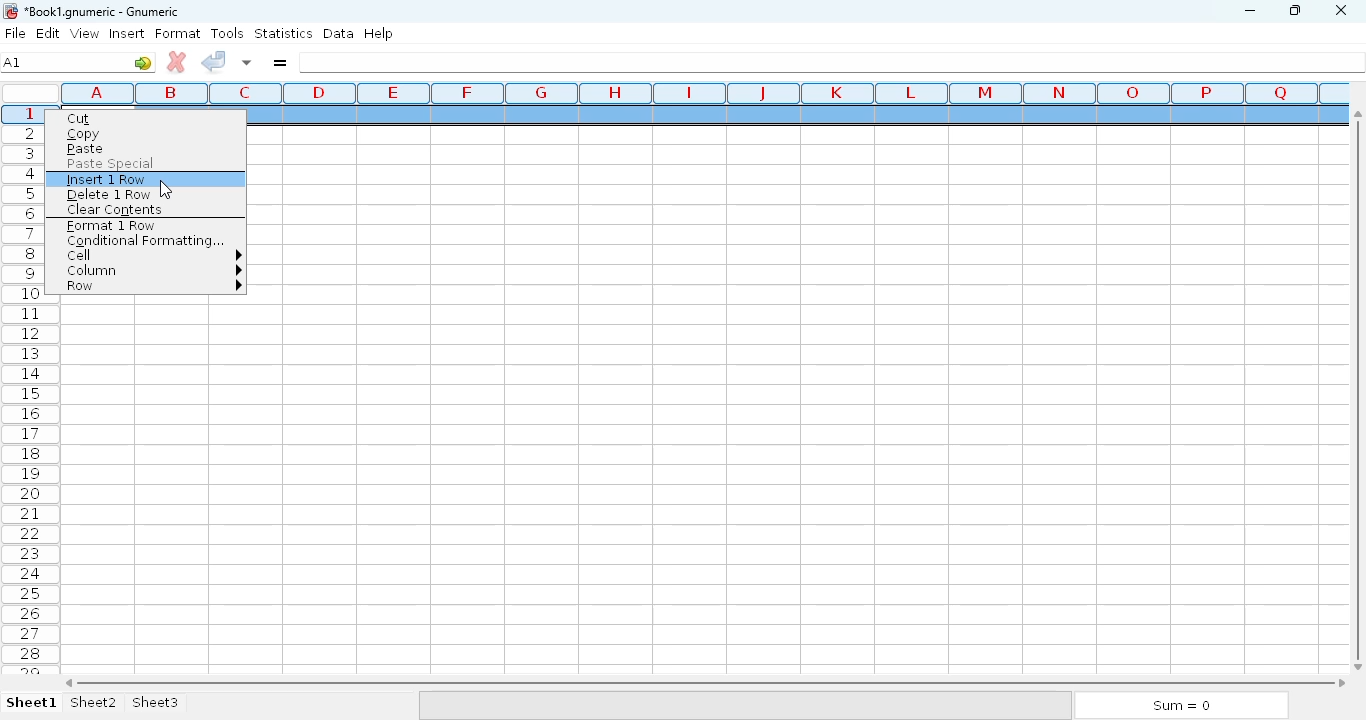 The image size is (1366, 720). I want to click on go to, so click(143, 62).